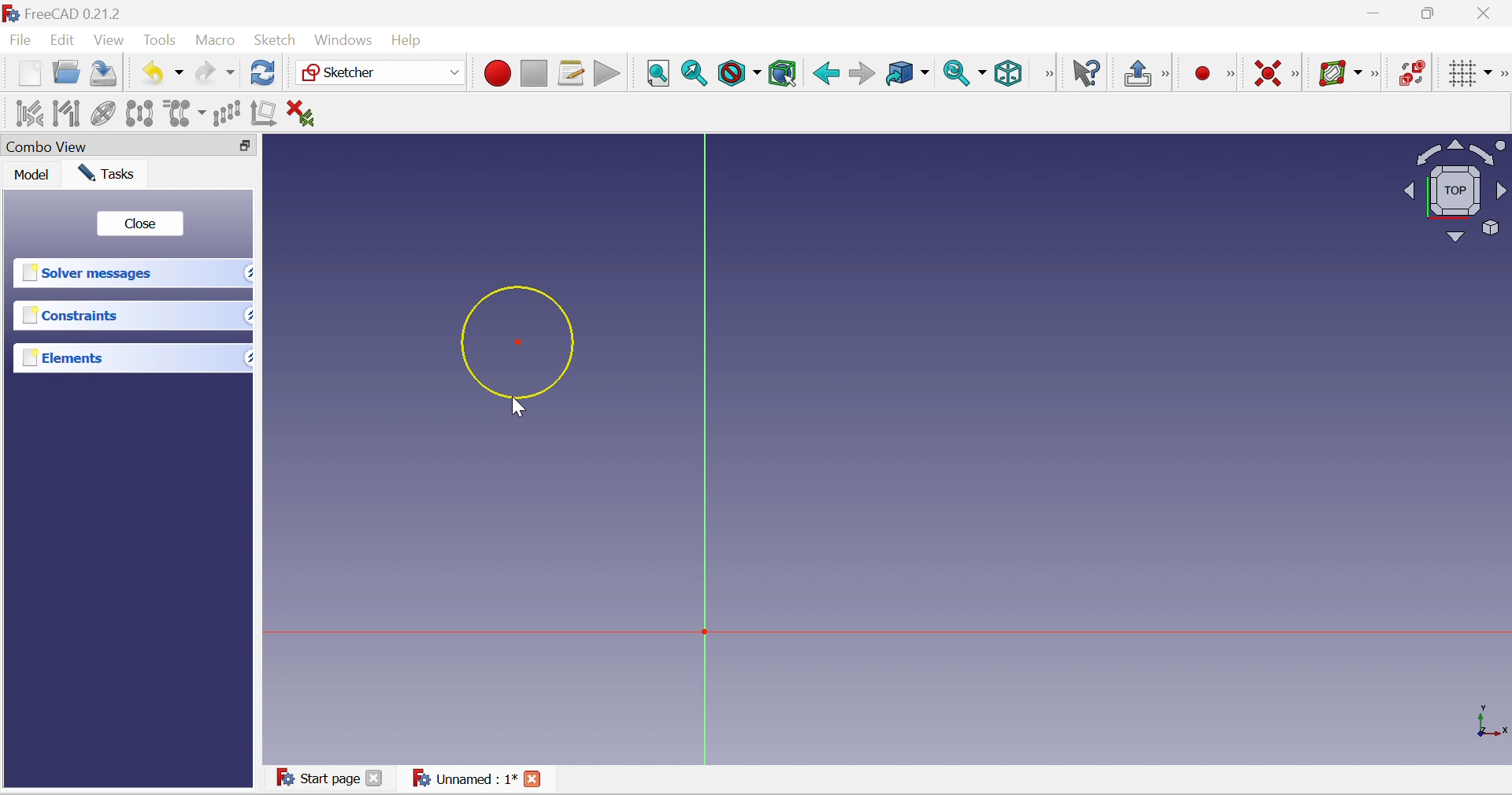 The height and width of the screenshot is (795, 1512). Describe the element at coordinates (71, 315) in the screenshot. I see `Constraints` at that location.